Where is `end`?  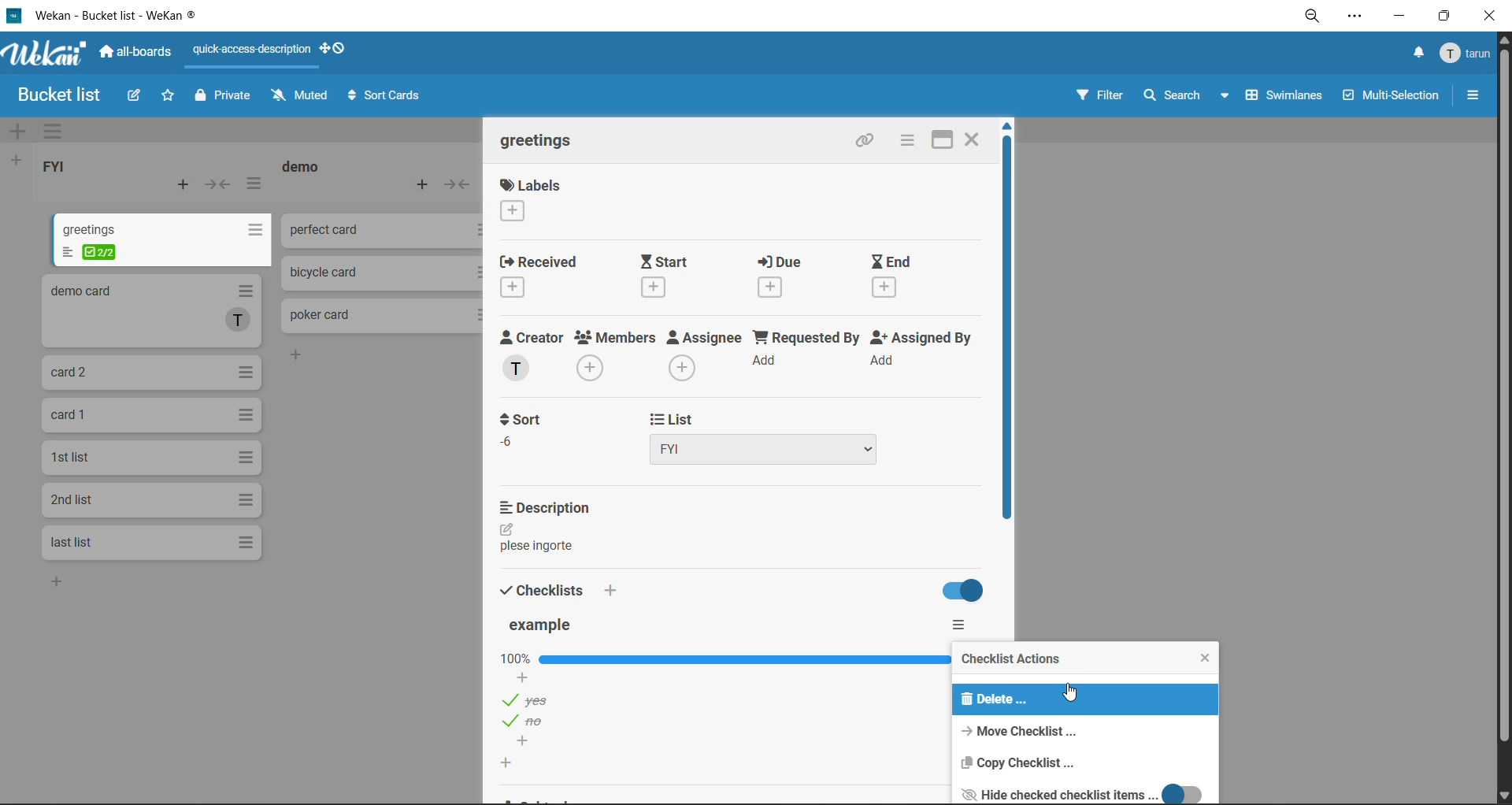 end is located at coordinates (895, 275).